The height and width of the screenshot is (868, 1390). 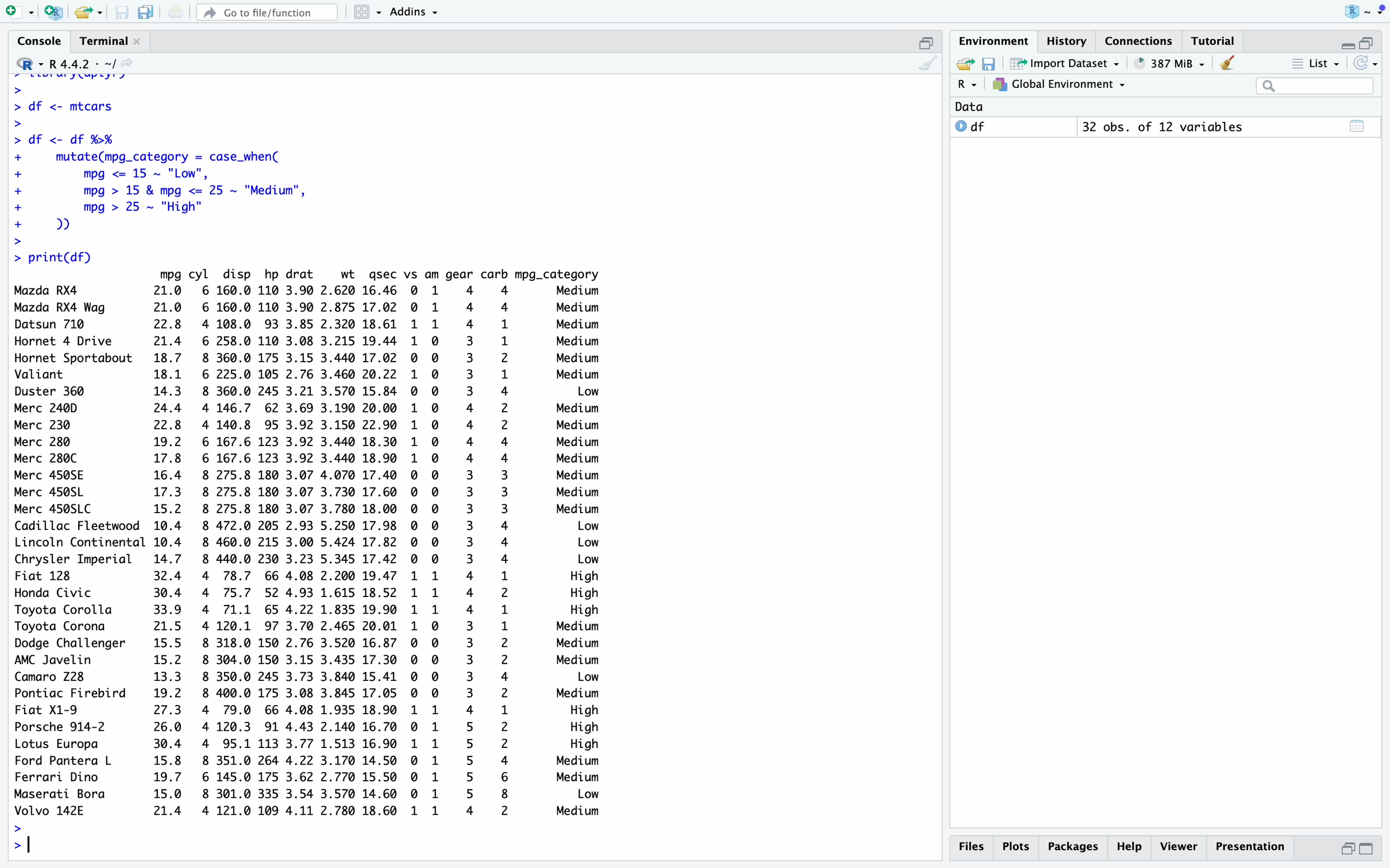 I want to click on 32 obs. of 12 variables, so click(x=1163, y=126).